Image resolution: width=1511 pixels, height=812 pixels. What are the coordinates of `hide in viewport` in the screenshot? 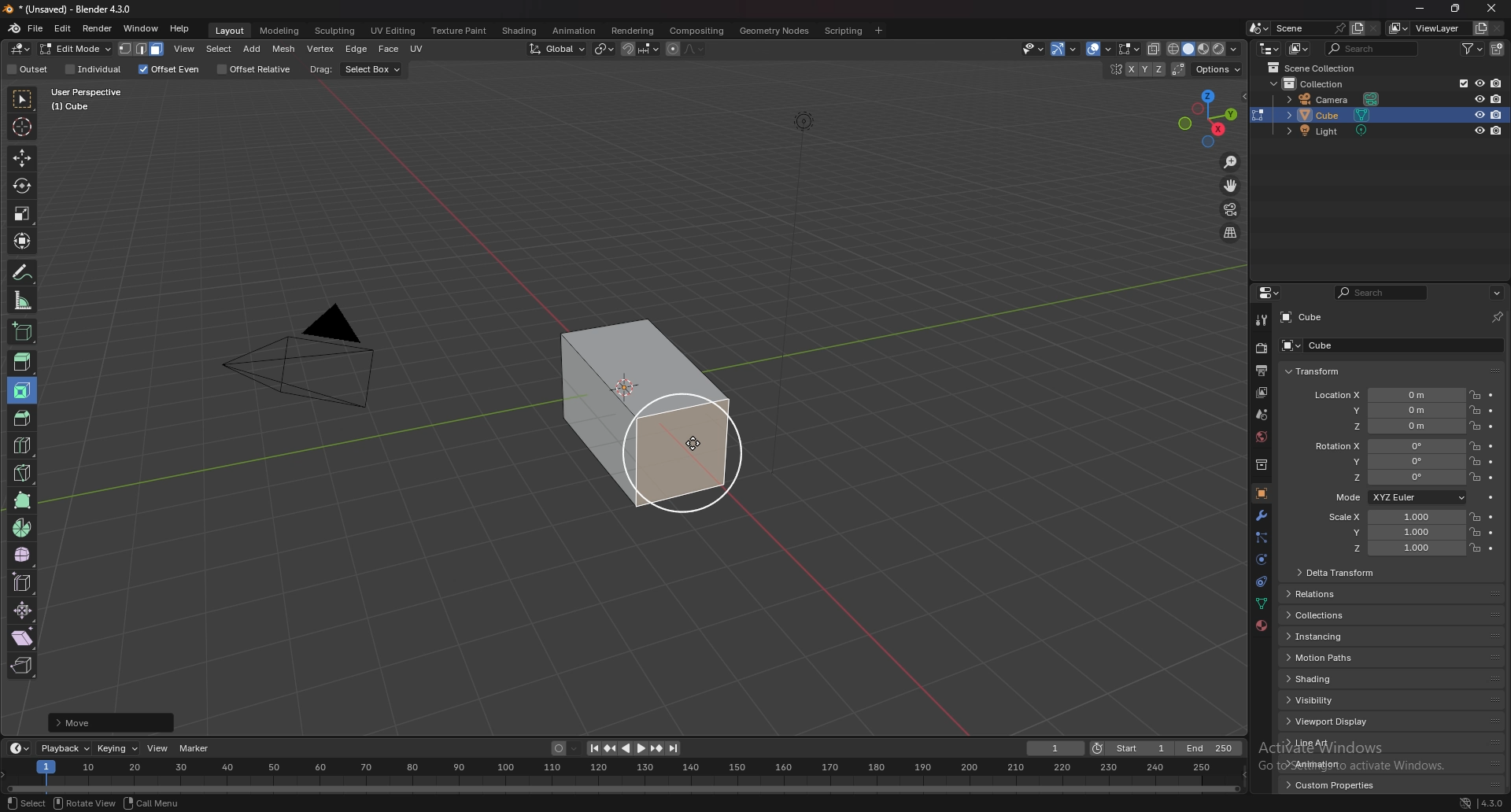 It's located at (1479, 83).